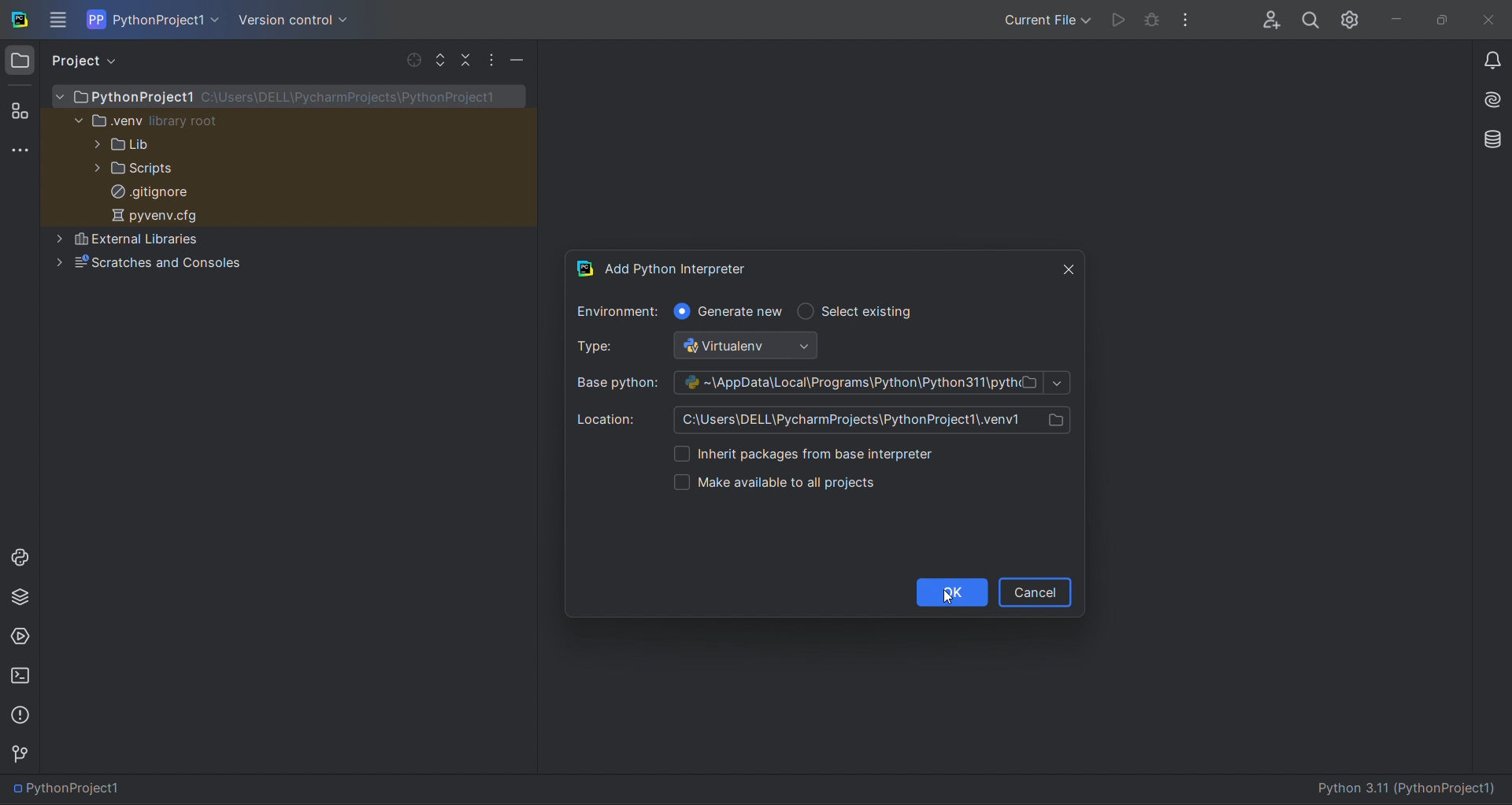 The width and height of the screenshot is (1512, 805). I want to click on main menu, so click(60, 20).